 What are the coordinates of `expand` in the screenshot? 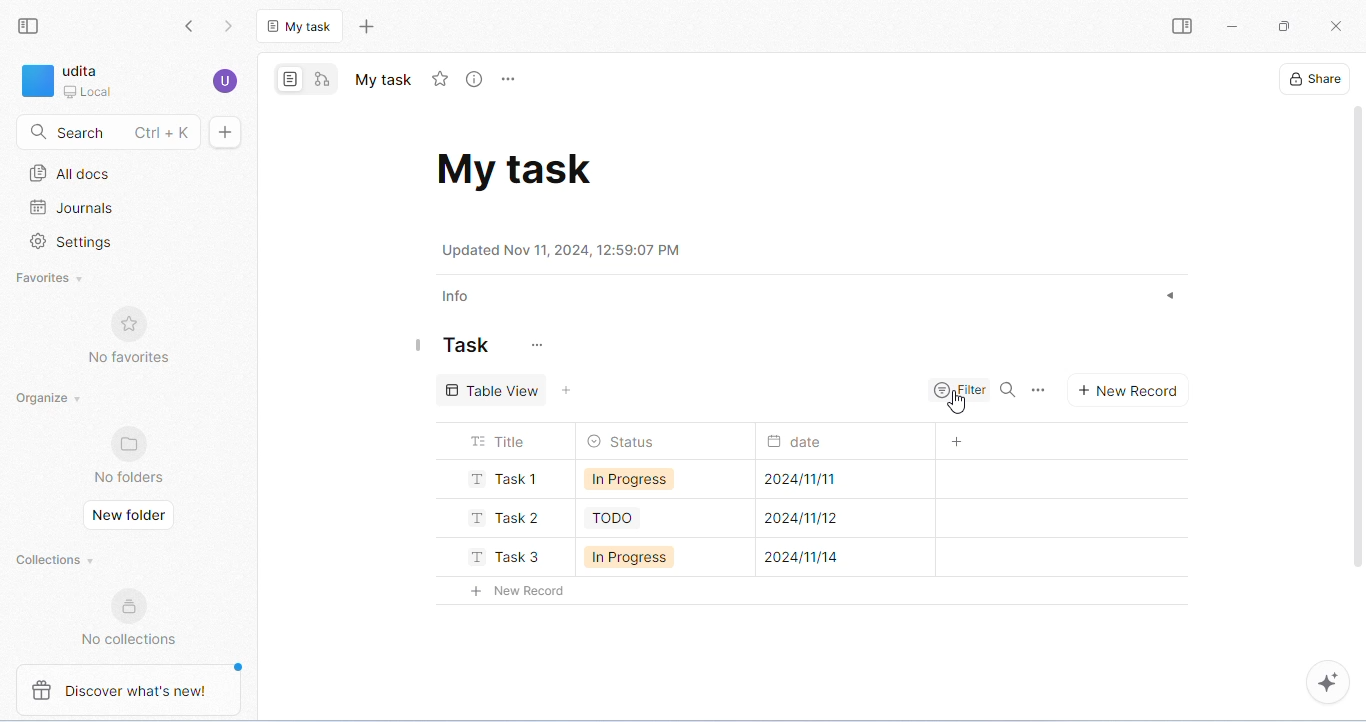 It's located at (1167, 297).